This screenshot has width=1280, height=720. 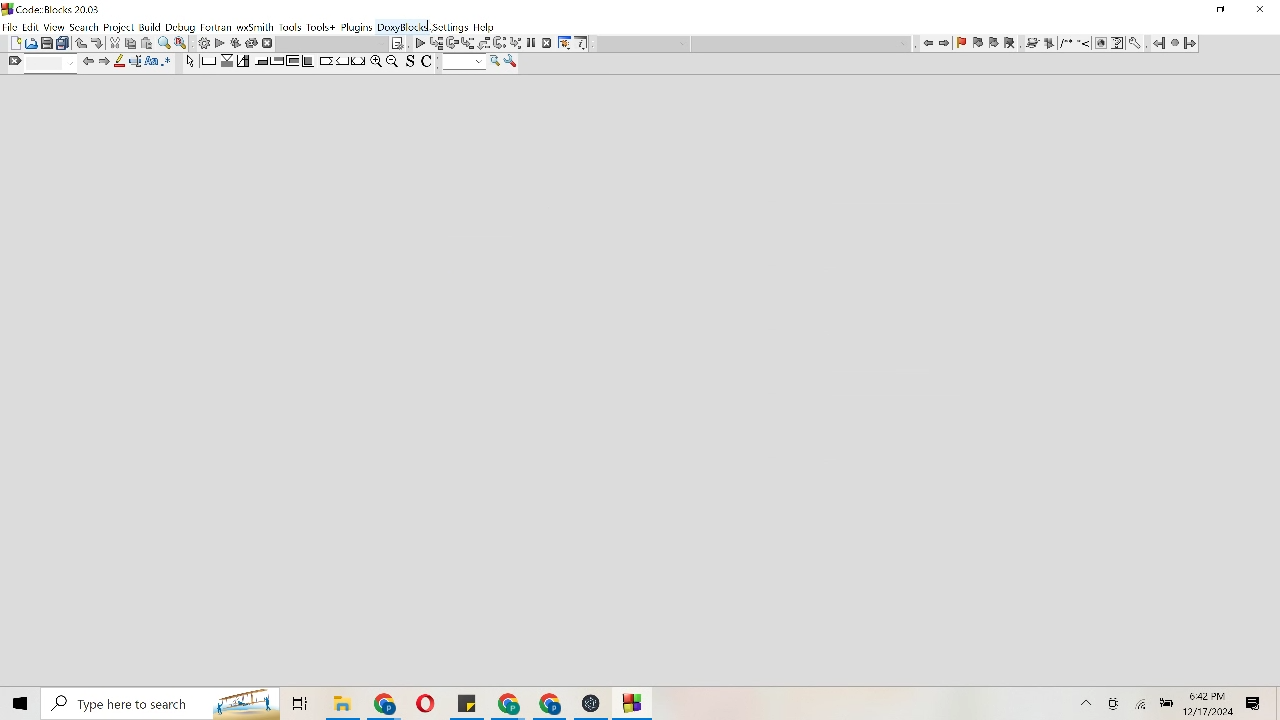 I want to click on Pause, so click(x=530, y=44).